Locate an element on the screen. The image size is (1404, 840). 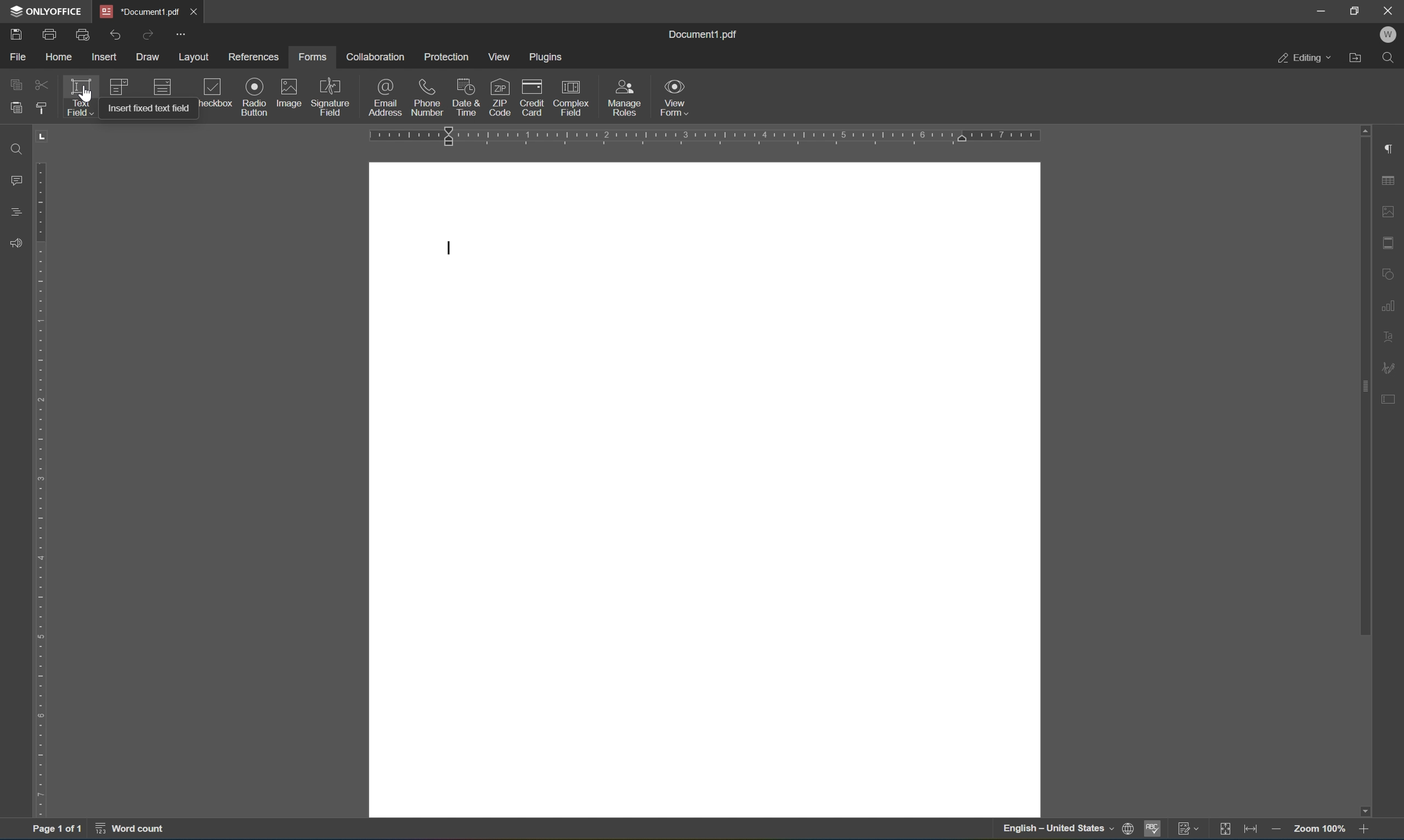
undo is located at coordinates (115, 36).